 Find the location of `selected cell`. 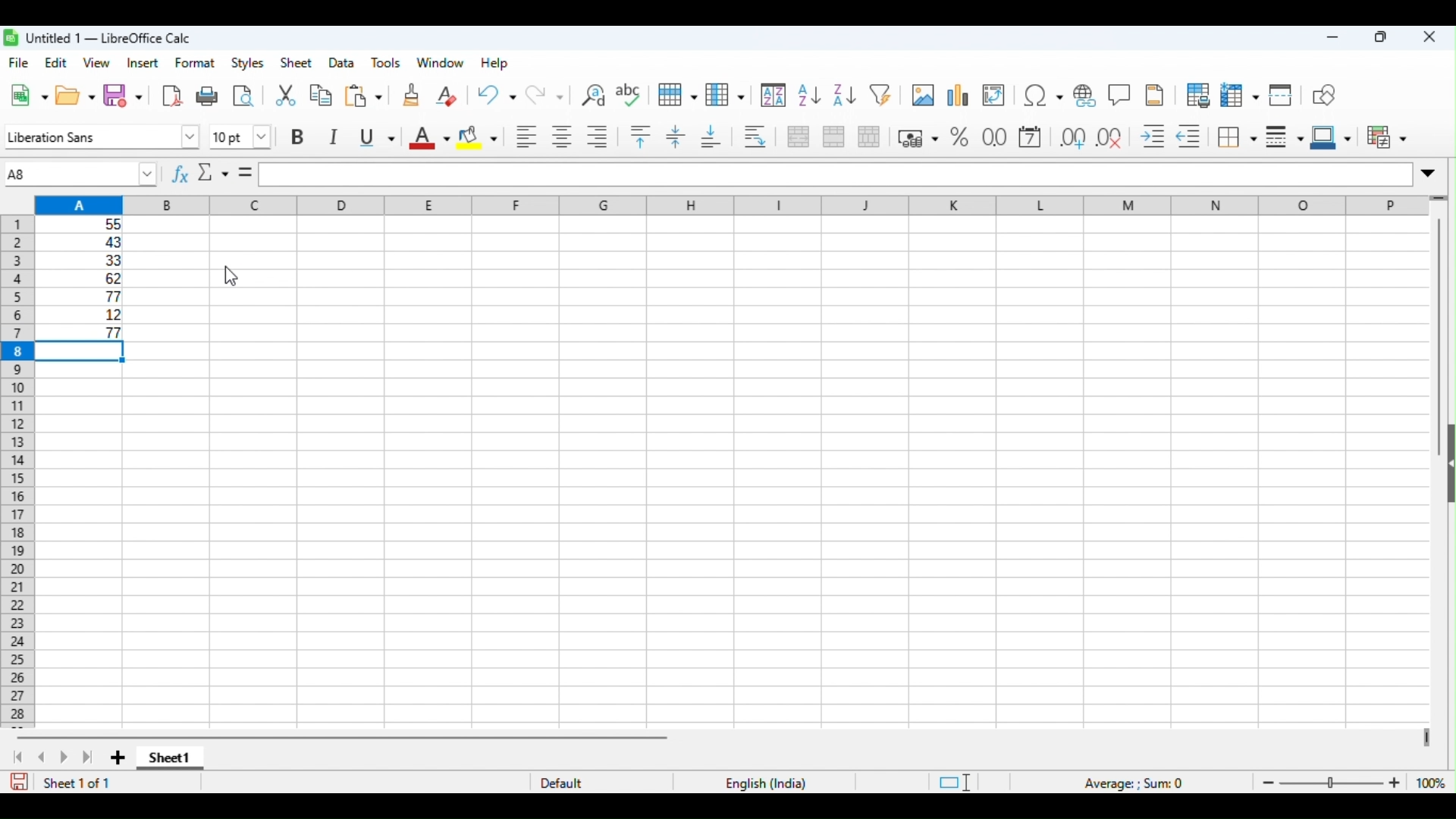

selected cell is located at coordinates (81, 352).